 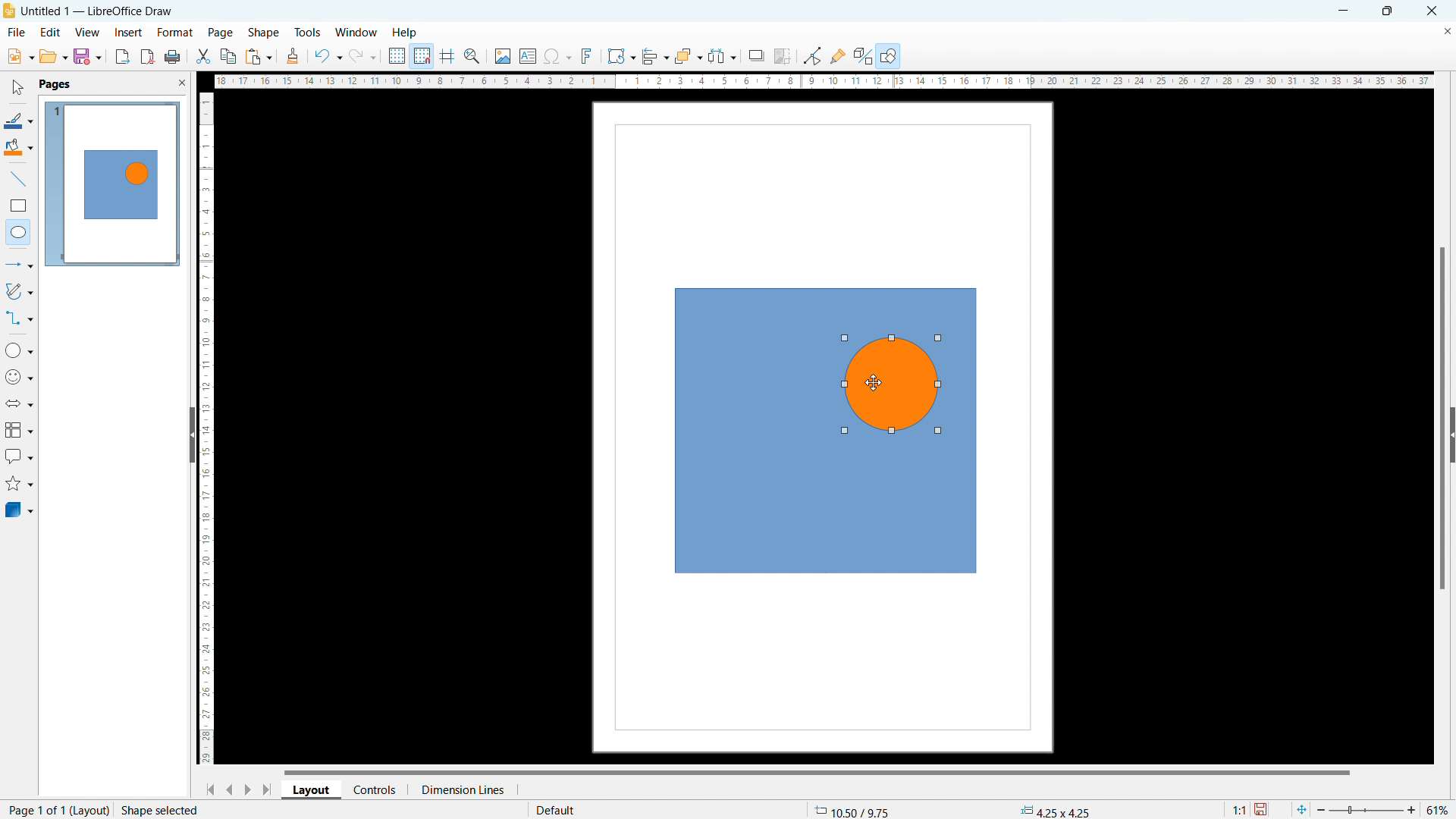 What do you see at coordinates (18, 485) in the screenshot?
I see `stars and banners` at bounding box center [18, 485].